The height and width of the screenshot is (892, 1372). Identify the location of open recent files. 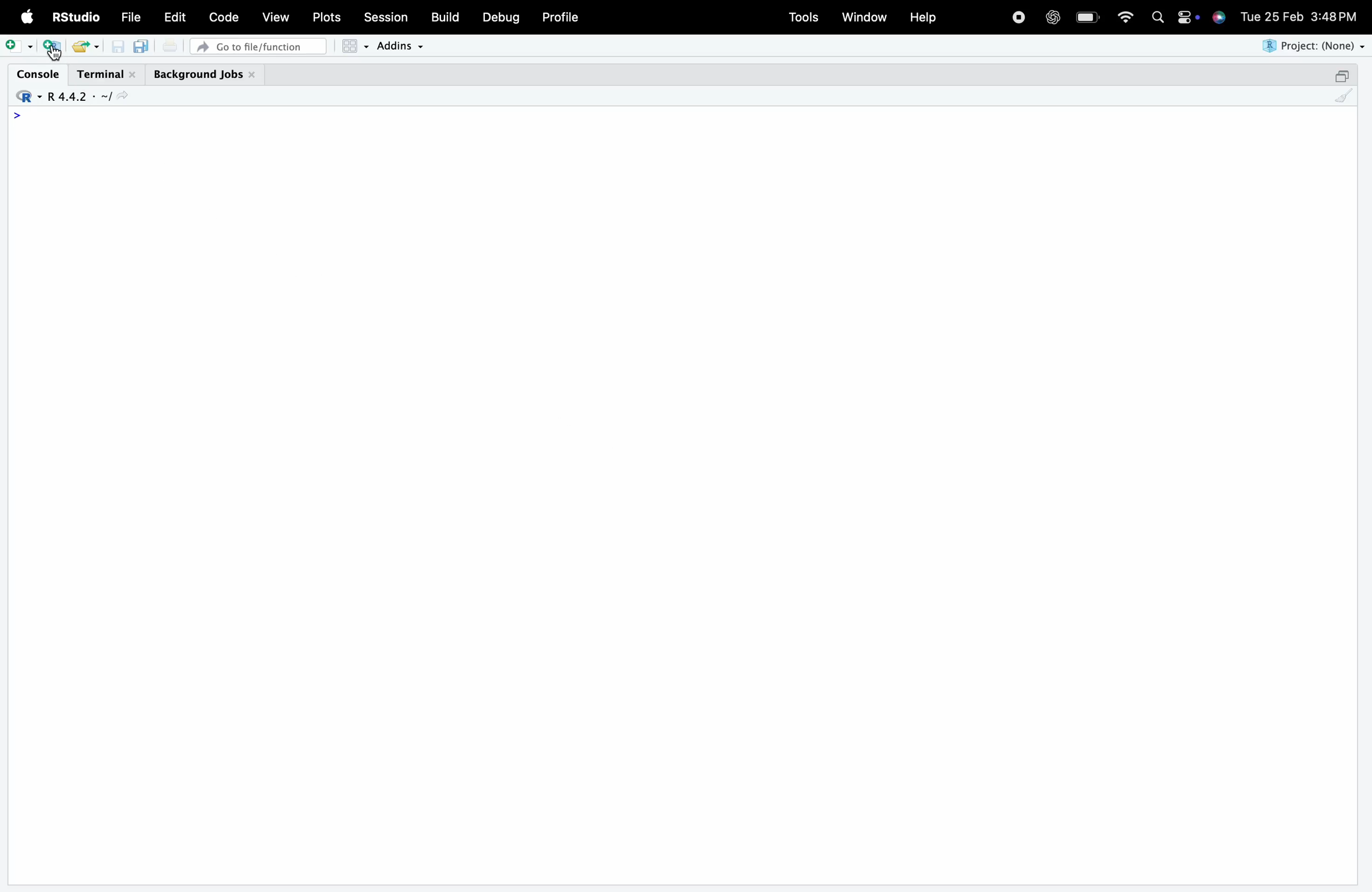
(96, 47).